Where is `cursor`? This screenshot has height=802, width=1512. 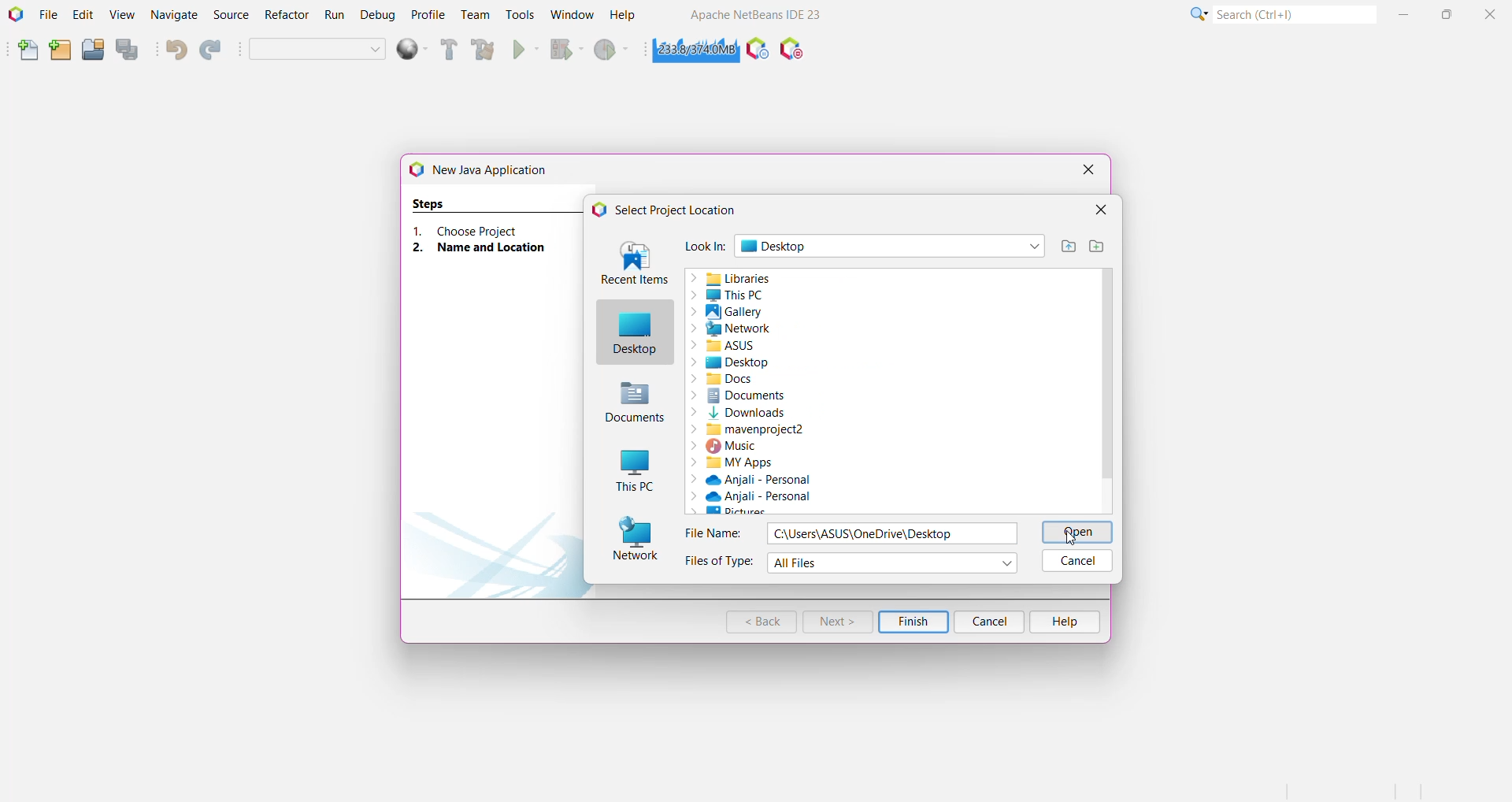
cursor is located at coordinates (1077, 539).